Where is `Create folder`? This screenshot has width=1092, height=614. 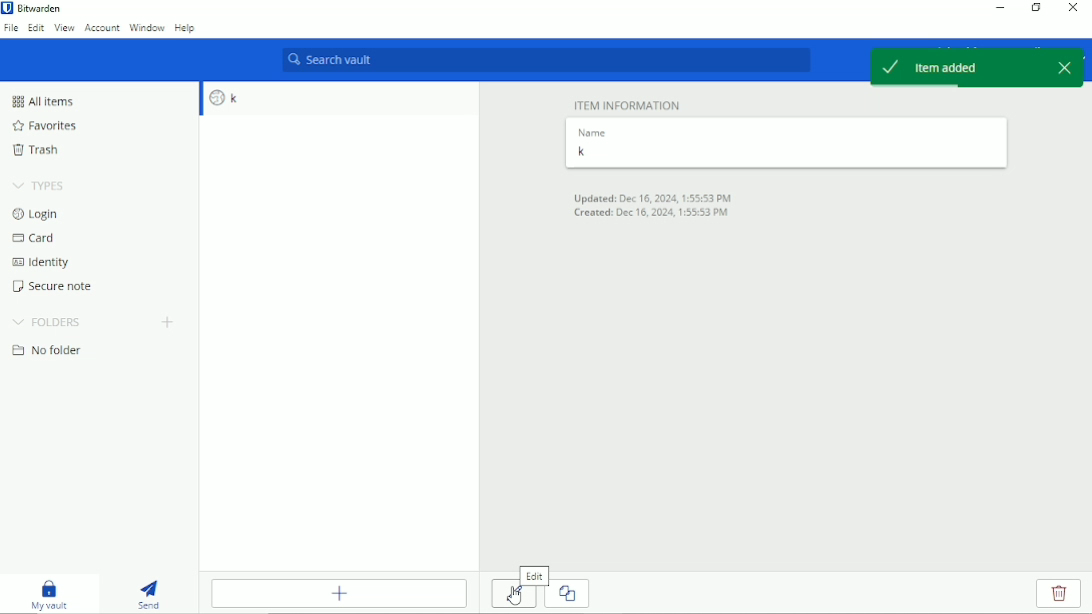 Create folder is located at coordinates (171, 323).